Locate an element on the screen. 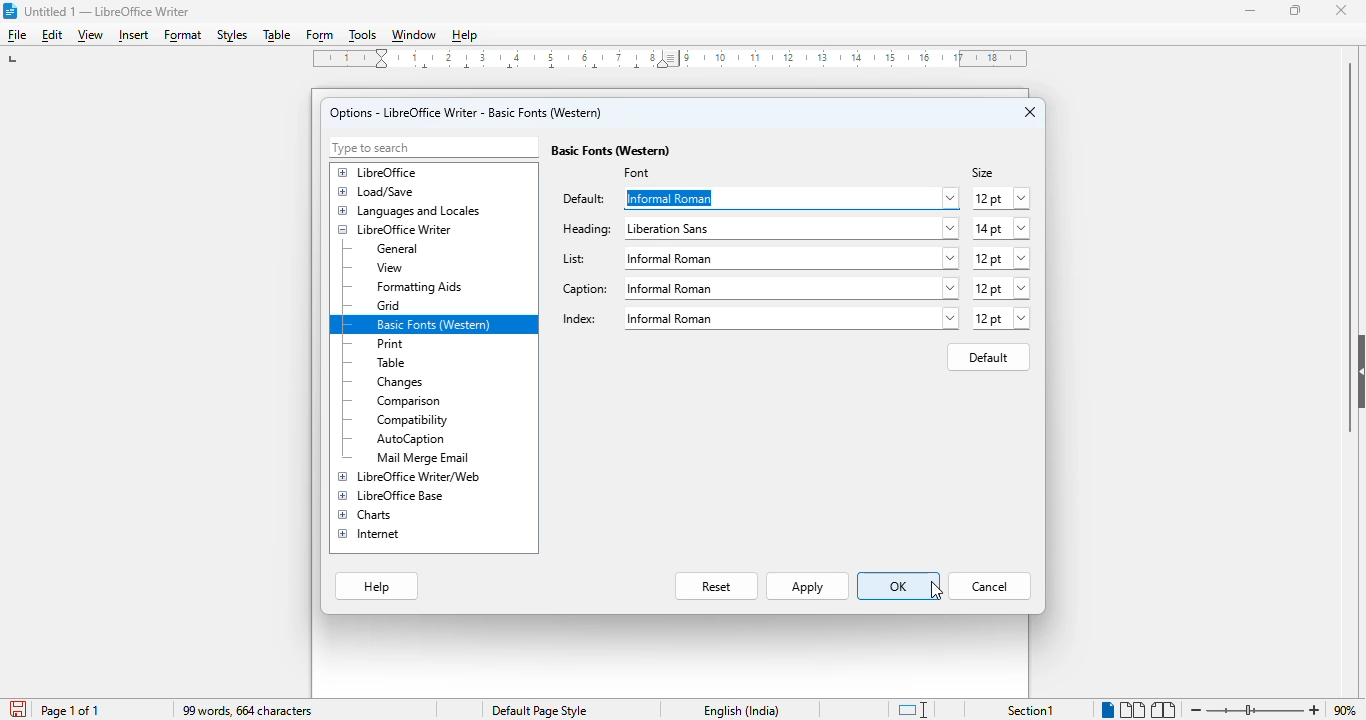 The image size is (1366, 720). 12 pt is located at coordinates (1001, 258).